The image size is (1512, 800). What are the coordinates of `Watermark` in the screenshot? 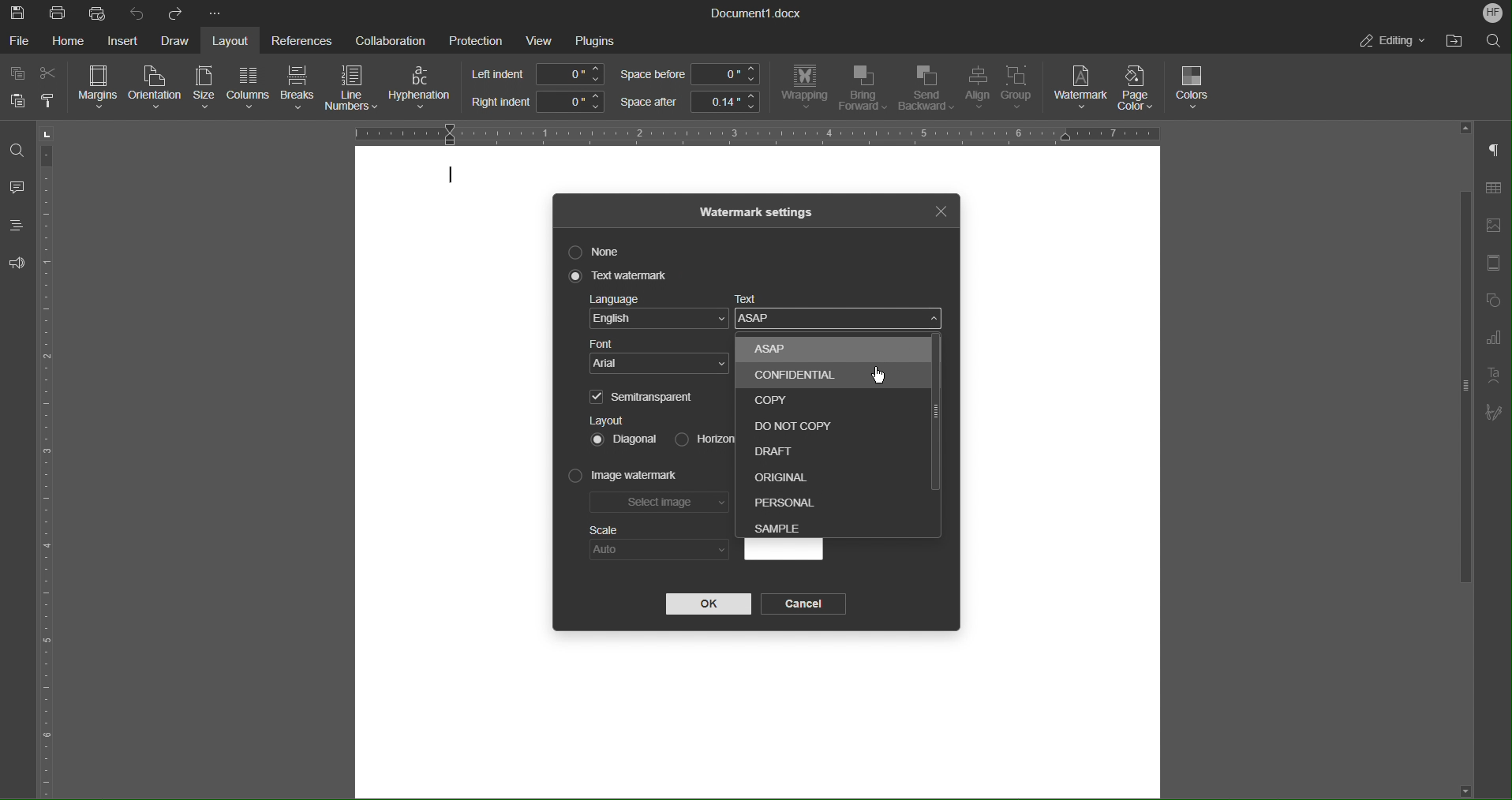 It's located at (1081, 88).